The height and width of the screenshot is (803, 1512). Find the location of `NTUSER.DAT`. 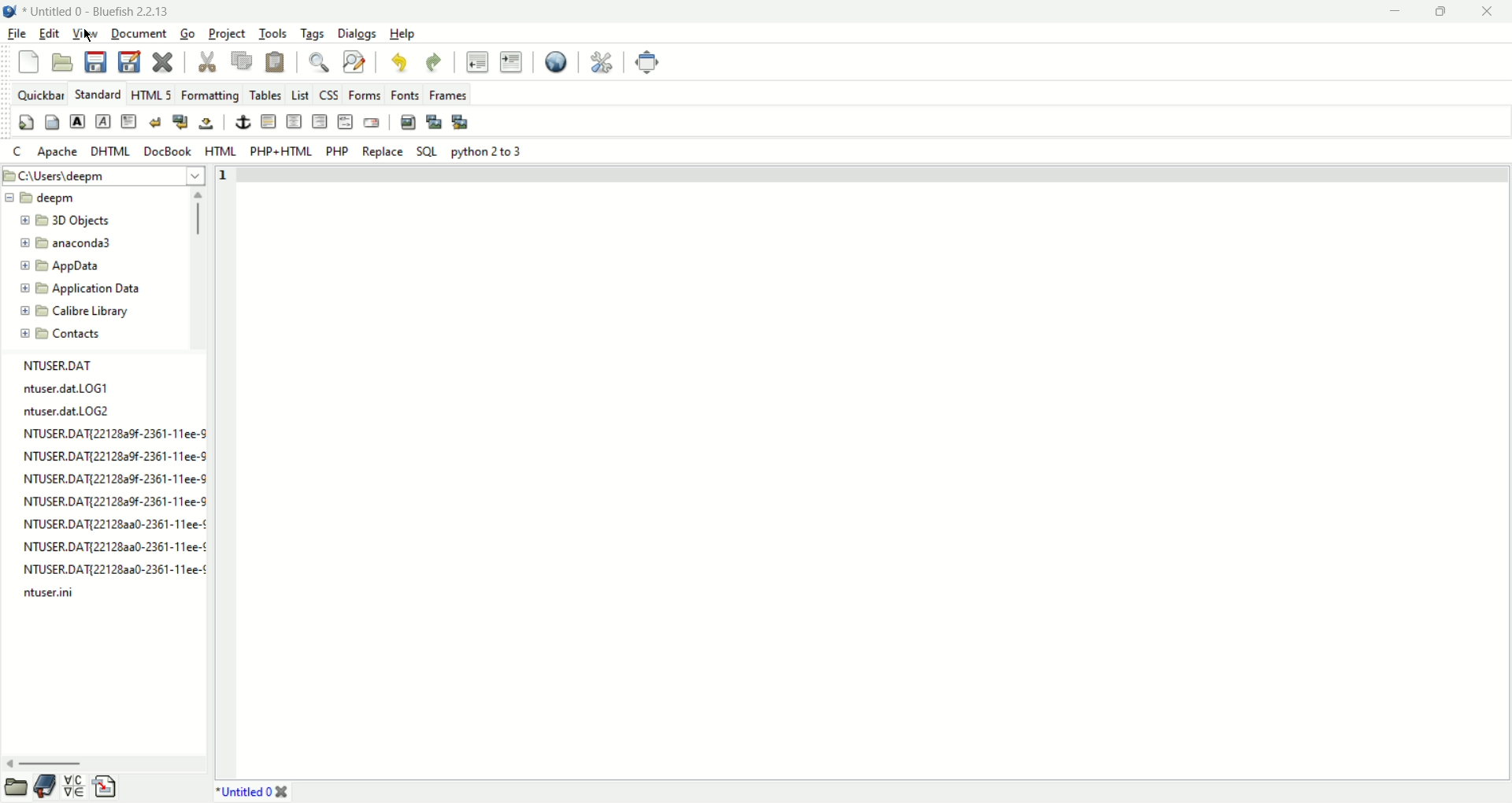

NTUSER.DAT is located at coordinates (57, 365).